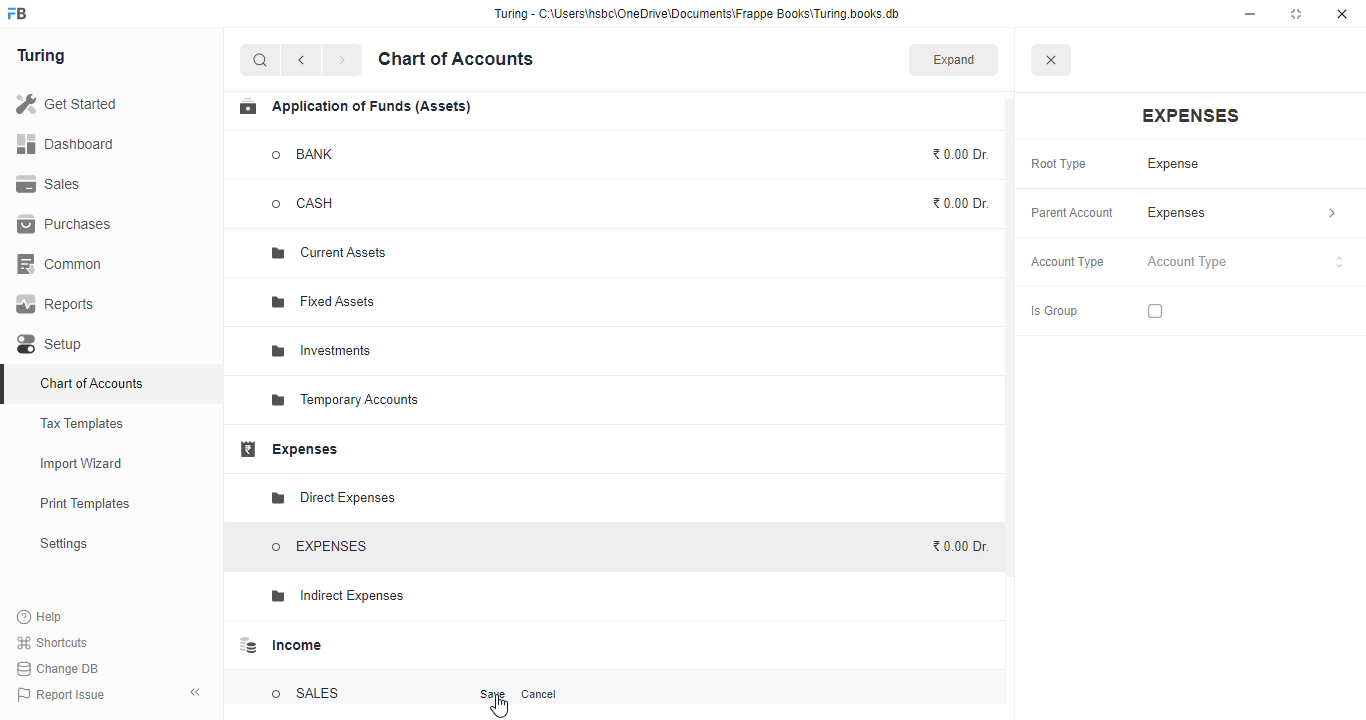  What do you see at coordinates (92, 383) in the screenshot?
I see `chart of accounts` at bounding box center [92, 383].